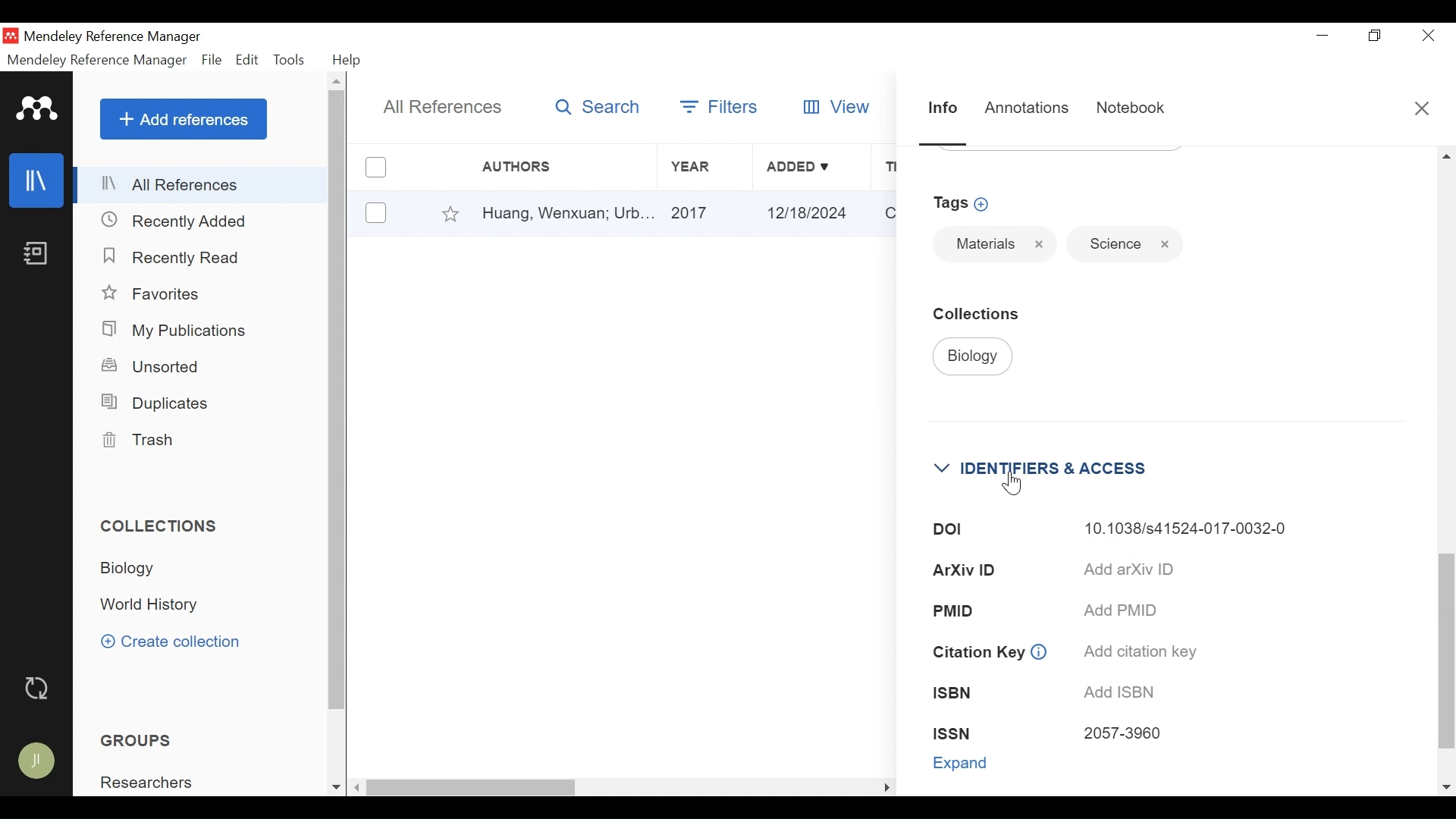 The width and height of the screenshot is (1456, 819). What do you see at coordinates (444, 108) in the screenshot?
I see `All References` at bounding box center [444, 108].